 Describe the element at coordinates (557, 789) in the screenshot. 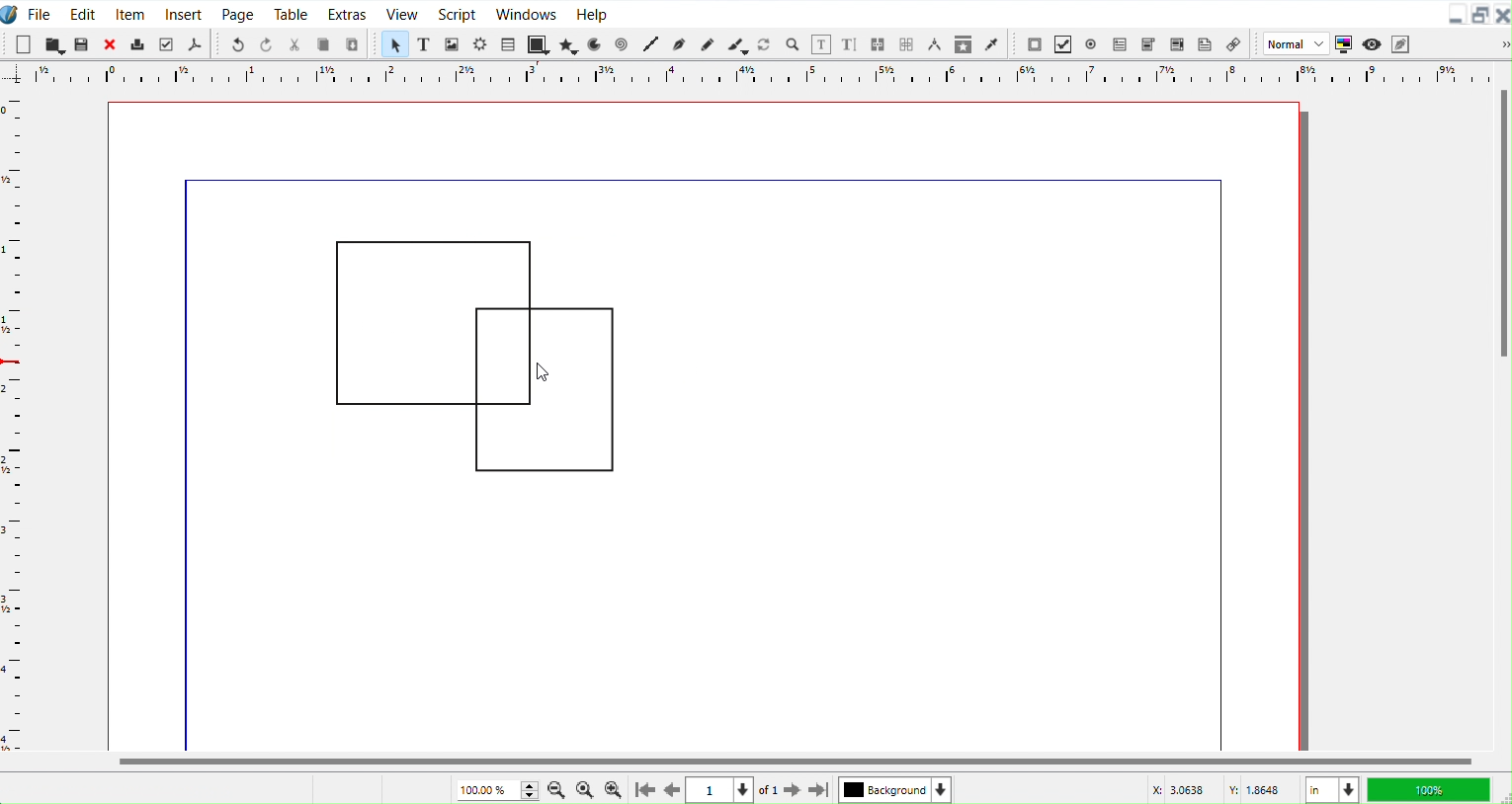

I see `Zoom Out` at that location.